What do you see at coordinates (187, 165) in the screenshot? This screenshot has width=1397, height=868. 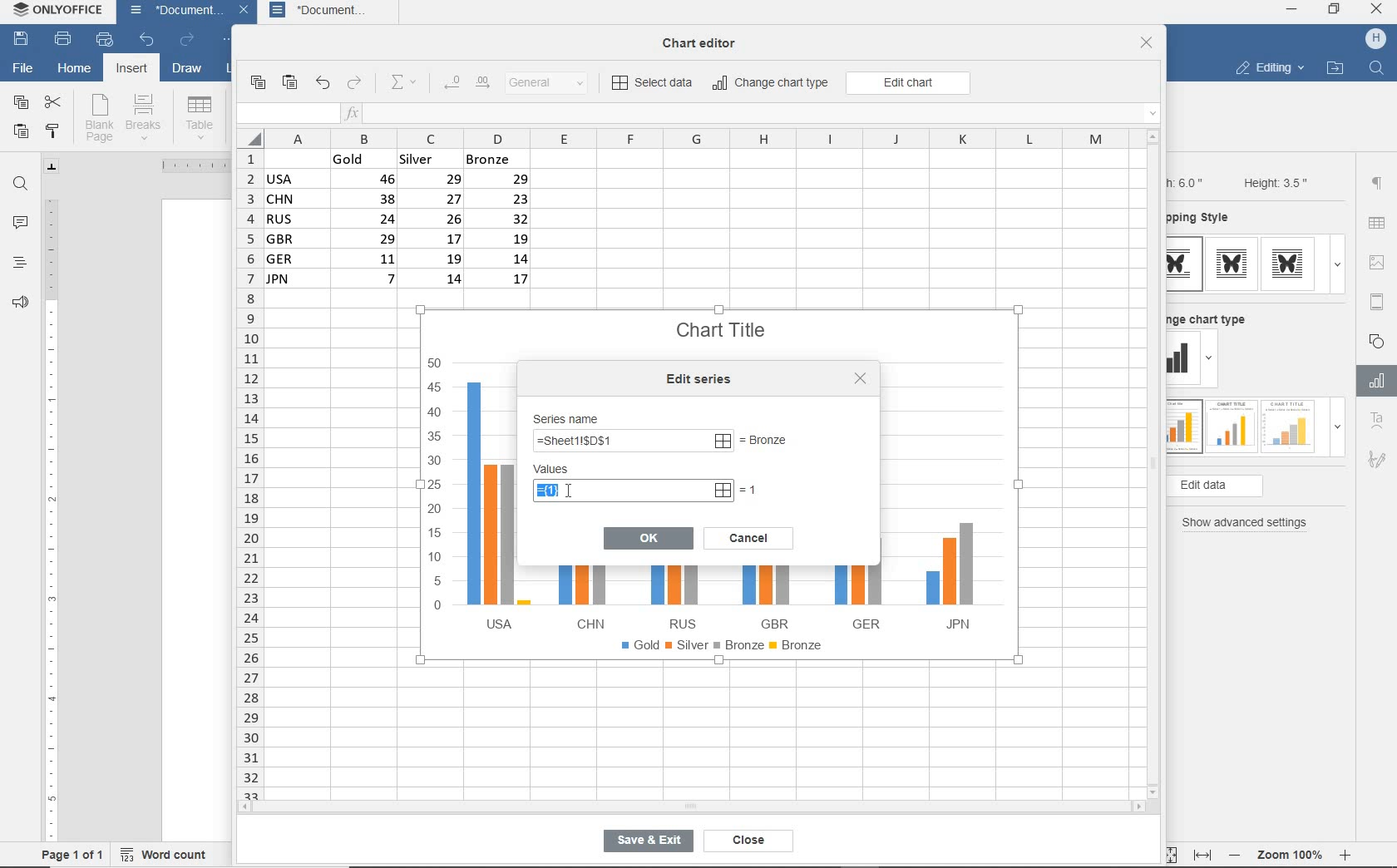 I see `ruler` at bounding box center [187, 165].